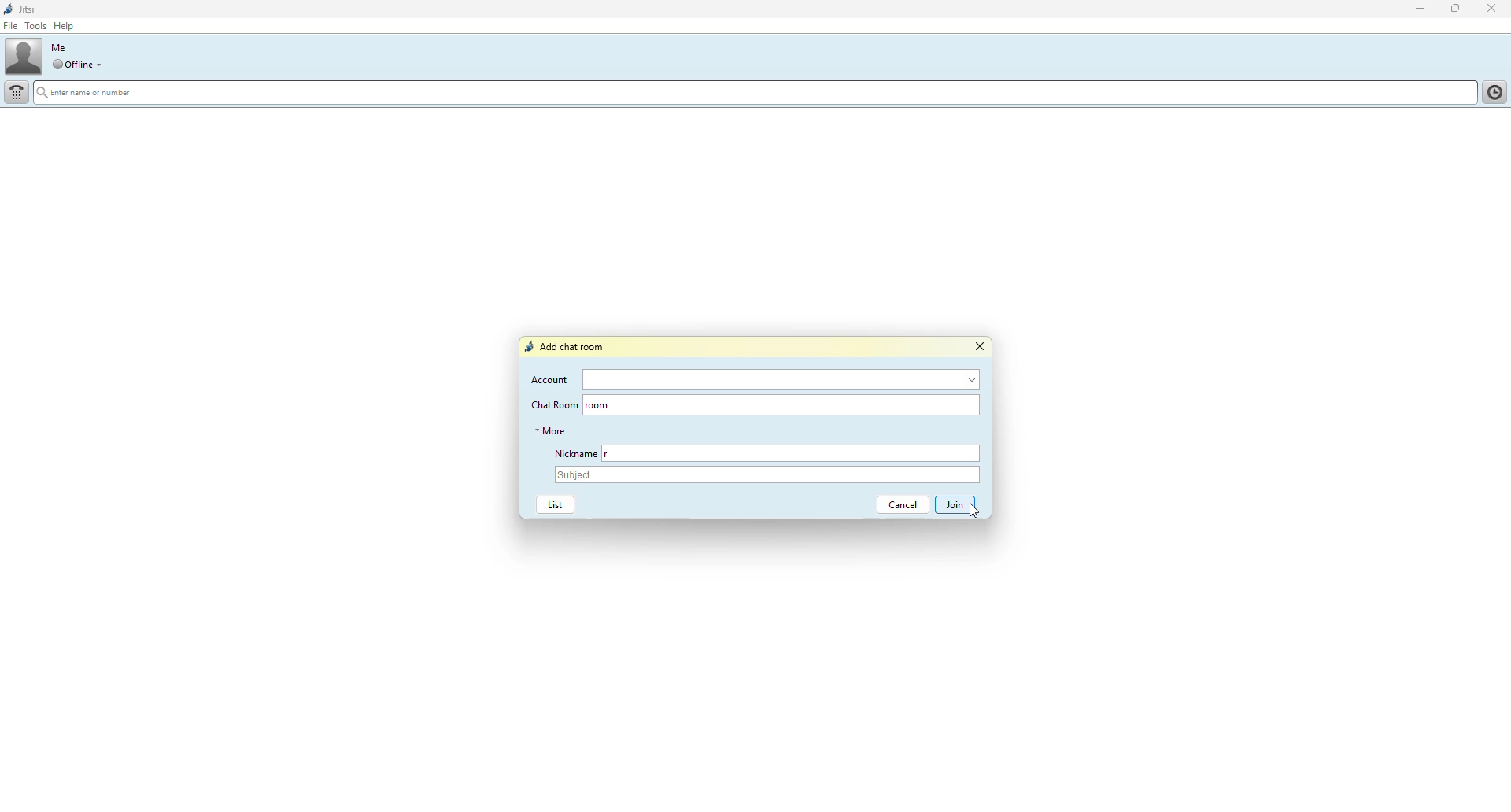  I want to click on join, so click(956, 505).